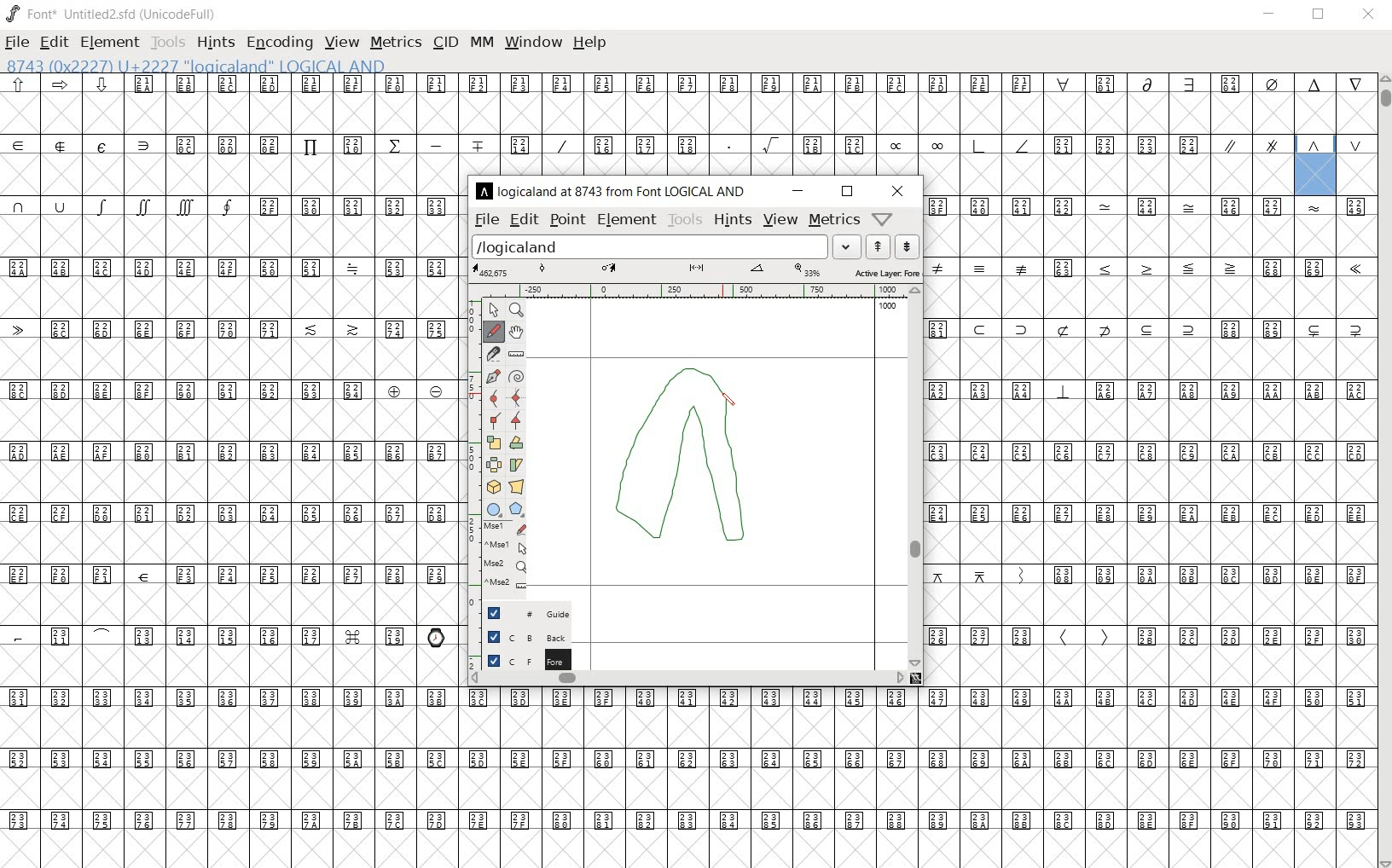 This screenshot has width=1392, height=868. What do you see at coordinates (481, 40) in the screenshot?
I see `mm` at bounding box center [481, 40].